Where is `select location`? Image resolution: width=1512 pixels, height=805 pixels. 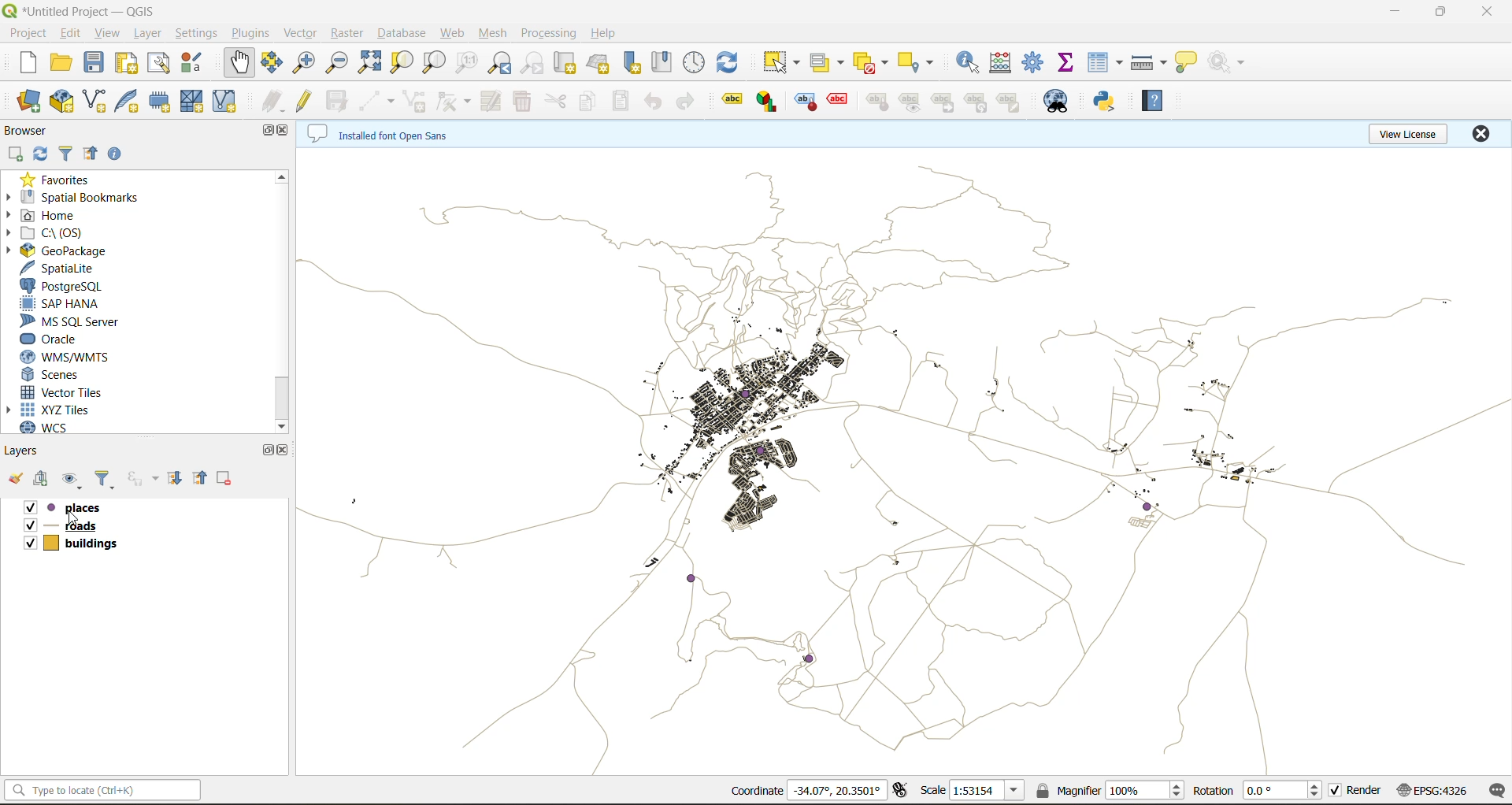
select location is located at coordinates (921, 61).